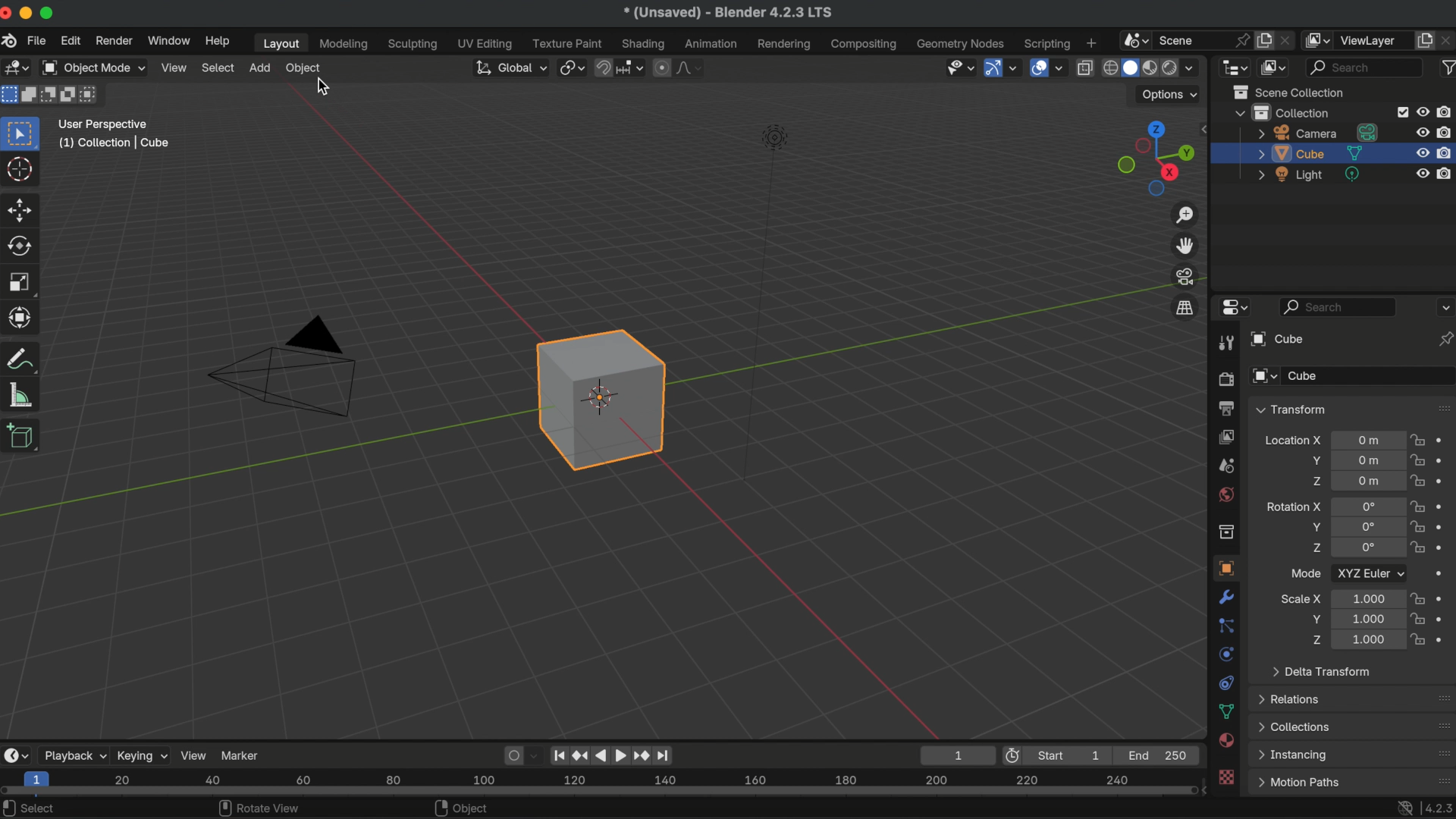  I want to click on cursor, so click(21, 171).